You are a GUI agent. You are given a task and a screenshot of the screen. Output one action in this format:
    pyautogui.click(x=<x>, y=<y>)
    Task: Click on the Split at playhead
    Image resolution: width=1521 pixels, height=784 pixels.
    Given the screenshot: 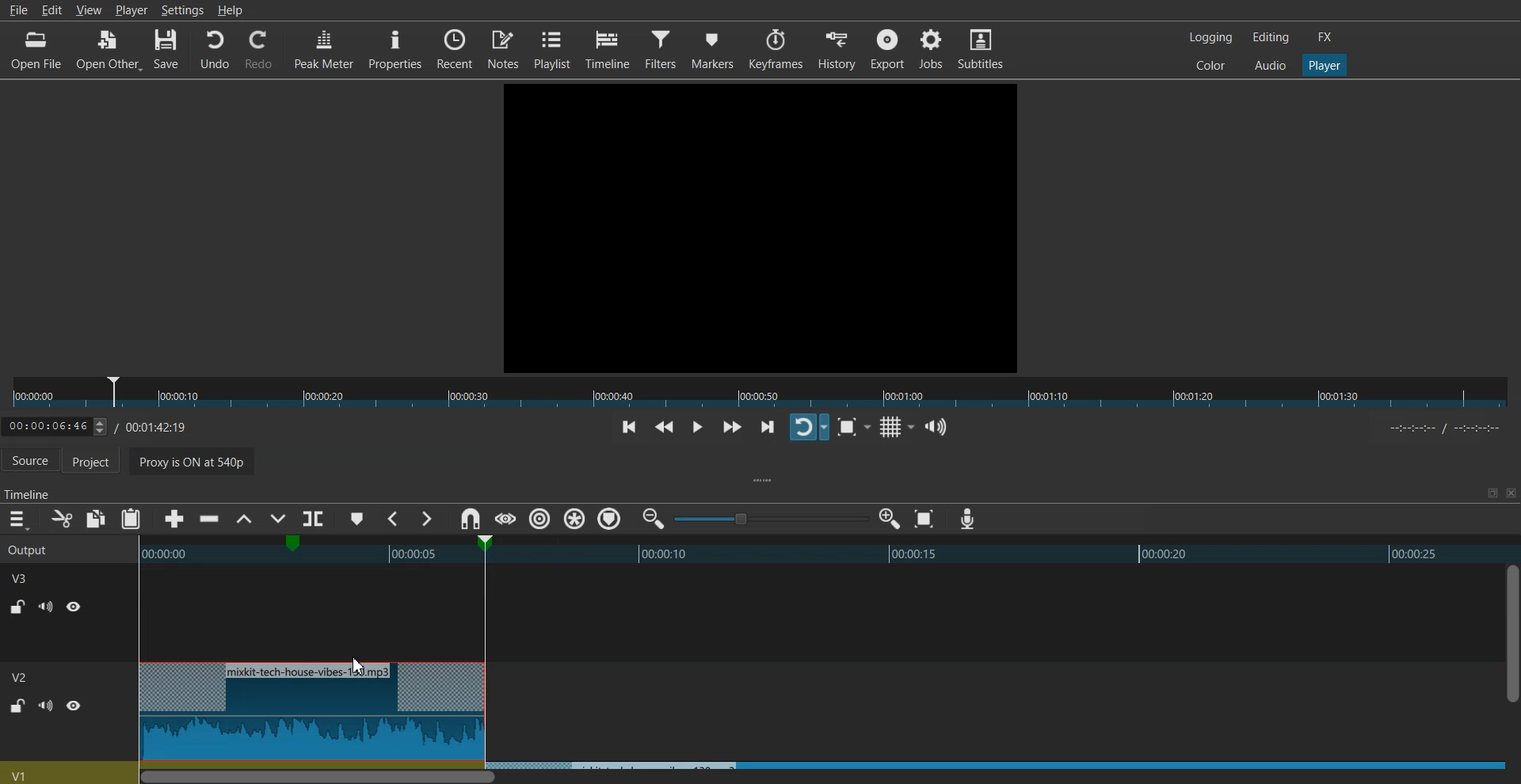 What is the action you would take?
    pyautogui.click(x=316, y=516)
    